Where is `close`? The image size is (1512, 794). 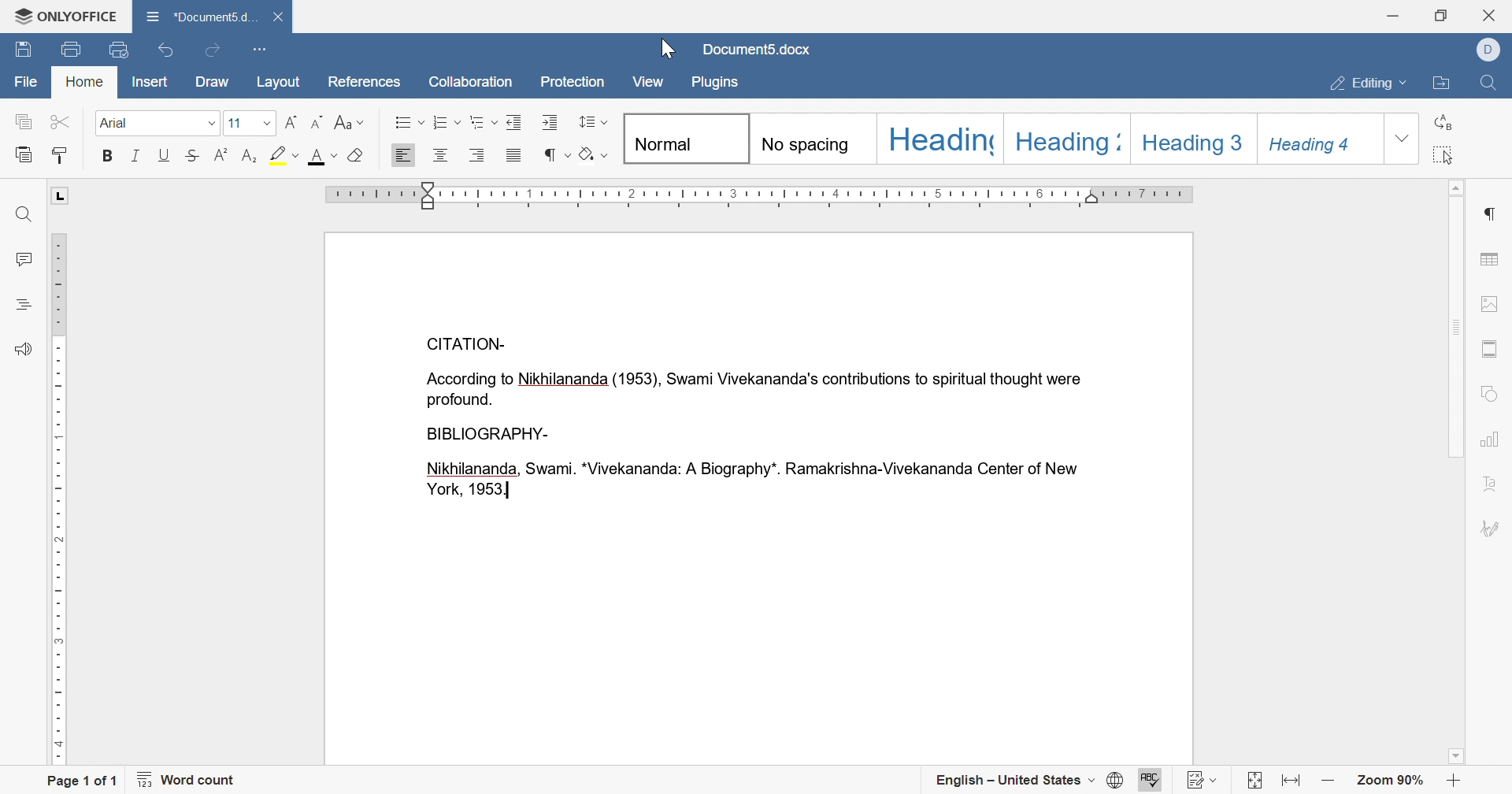
close is located at coordinates (278, 18).